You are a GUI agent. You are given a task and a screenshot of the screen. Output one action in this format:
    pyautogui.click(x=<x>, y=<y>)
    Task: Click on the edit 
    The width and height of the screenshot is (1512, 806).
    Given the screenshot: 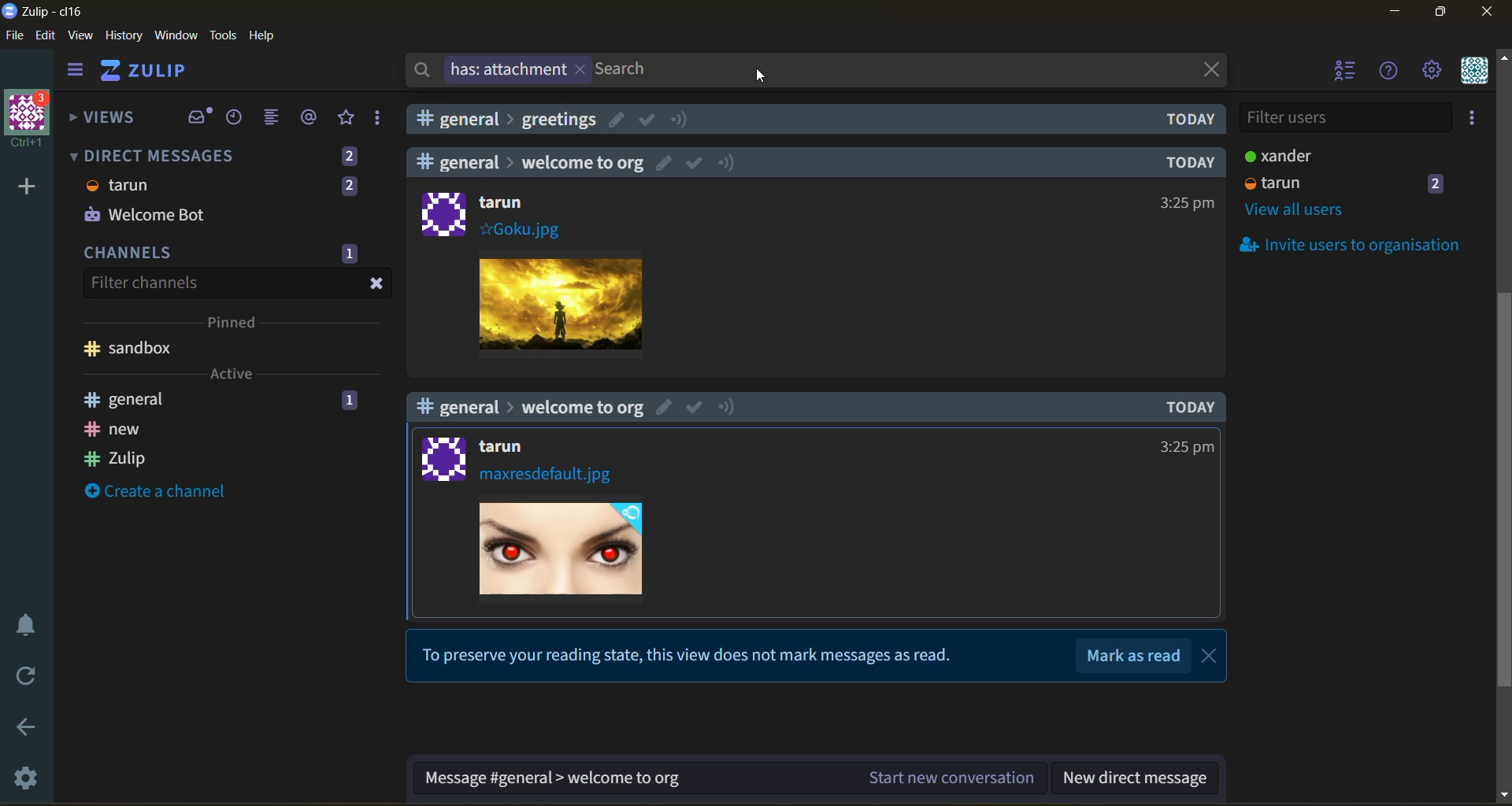 What is the action you would take?
    pyautogui.click(x=661, y=163)
    